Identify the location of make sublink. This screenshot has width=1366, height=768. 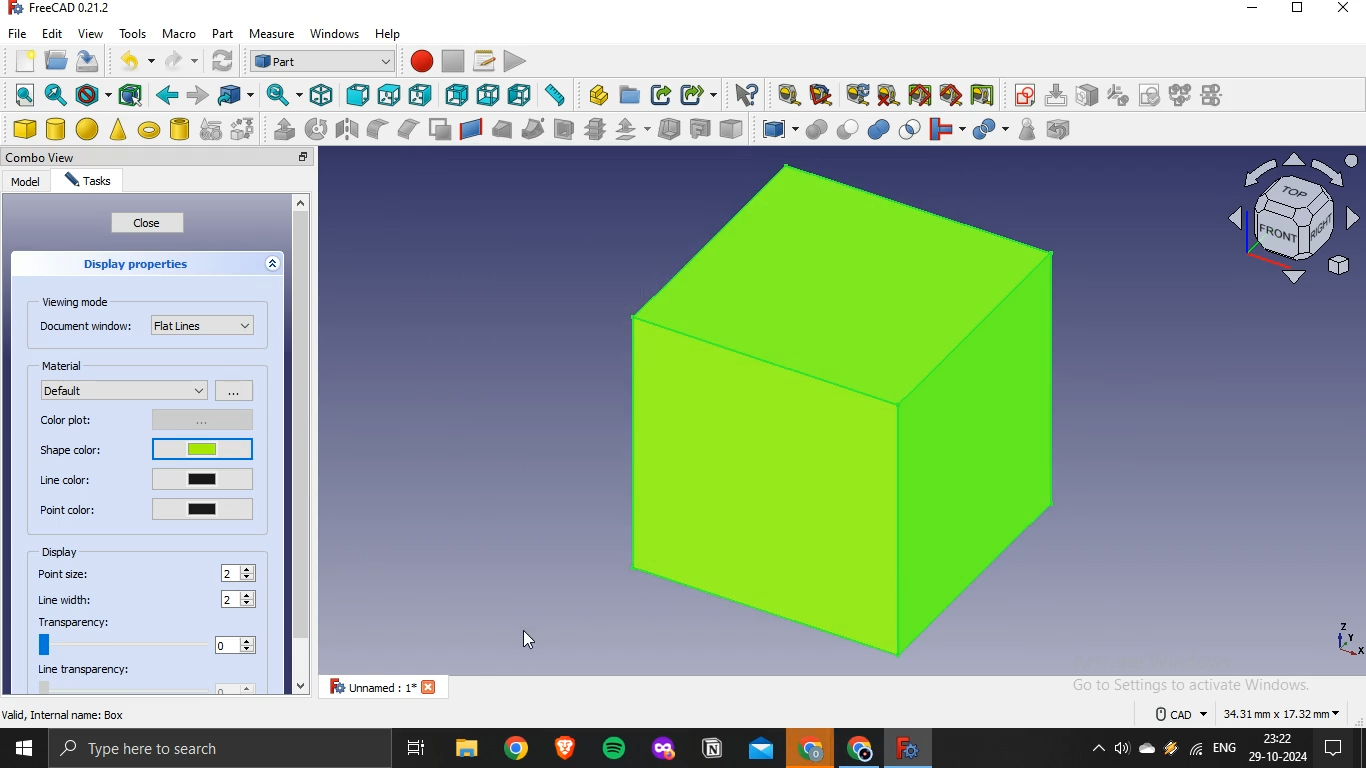
(694, 95).